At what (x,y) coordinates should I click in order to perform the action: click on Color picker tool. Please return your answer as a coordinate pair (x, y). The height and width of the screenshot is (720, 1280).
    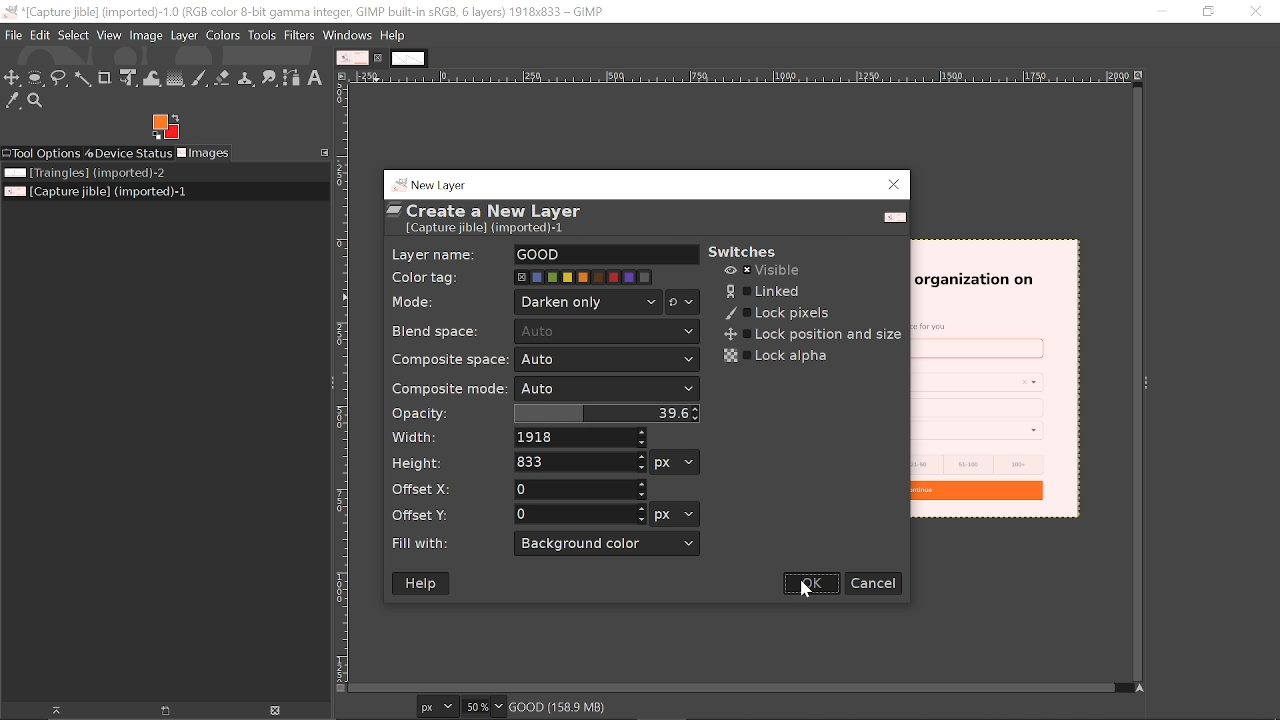
    Looking at the image, I should click on (11, 101).